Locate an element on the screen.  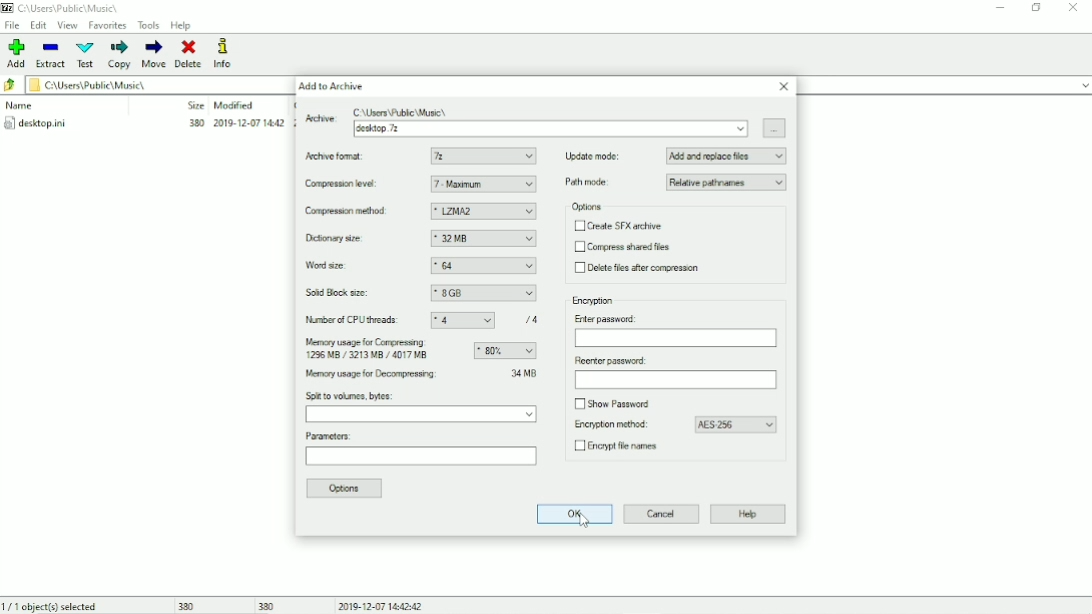
Enter password is located at coordinates (609, 318).